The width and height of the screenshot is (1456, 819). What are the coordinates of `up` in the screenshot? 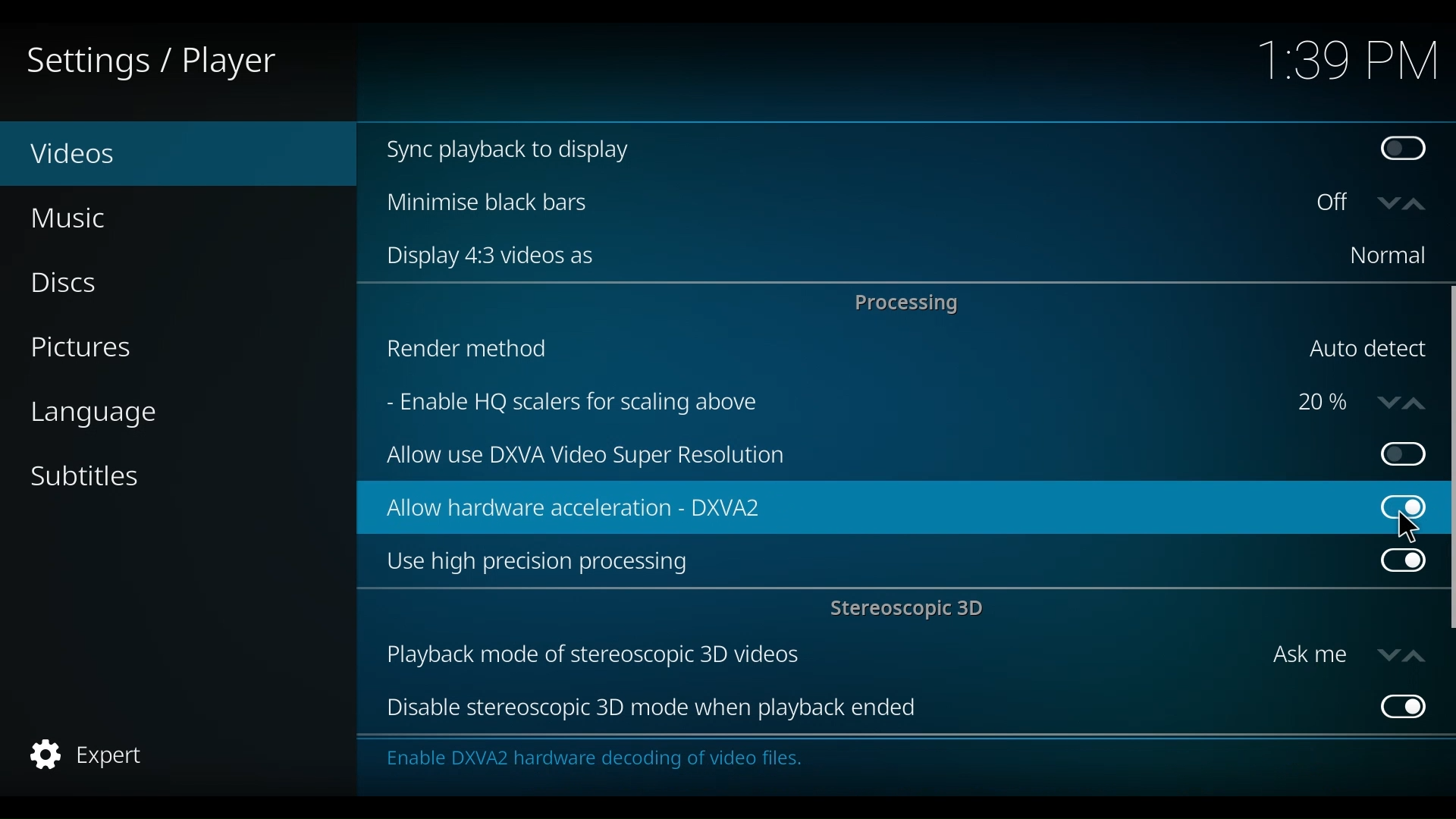 It's located at (1417, 400).